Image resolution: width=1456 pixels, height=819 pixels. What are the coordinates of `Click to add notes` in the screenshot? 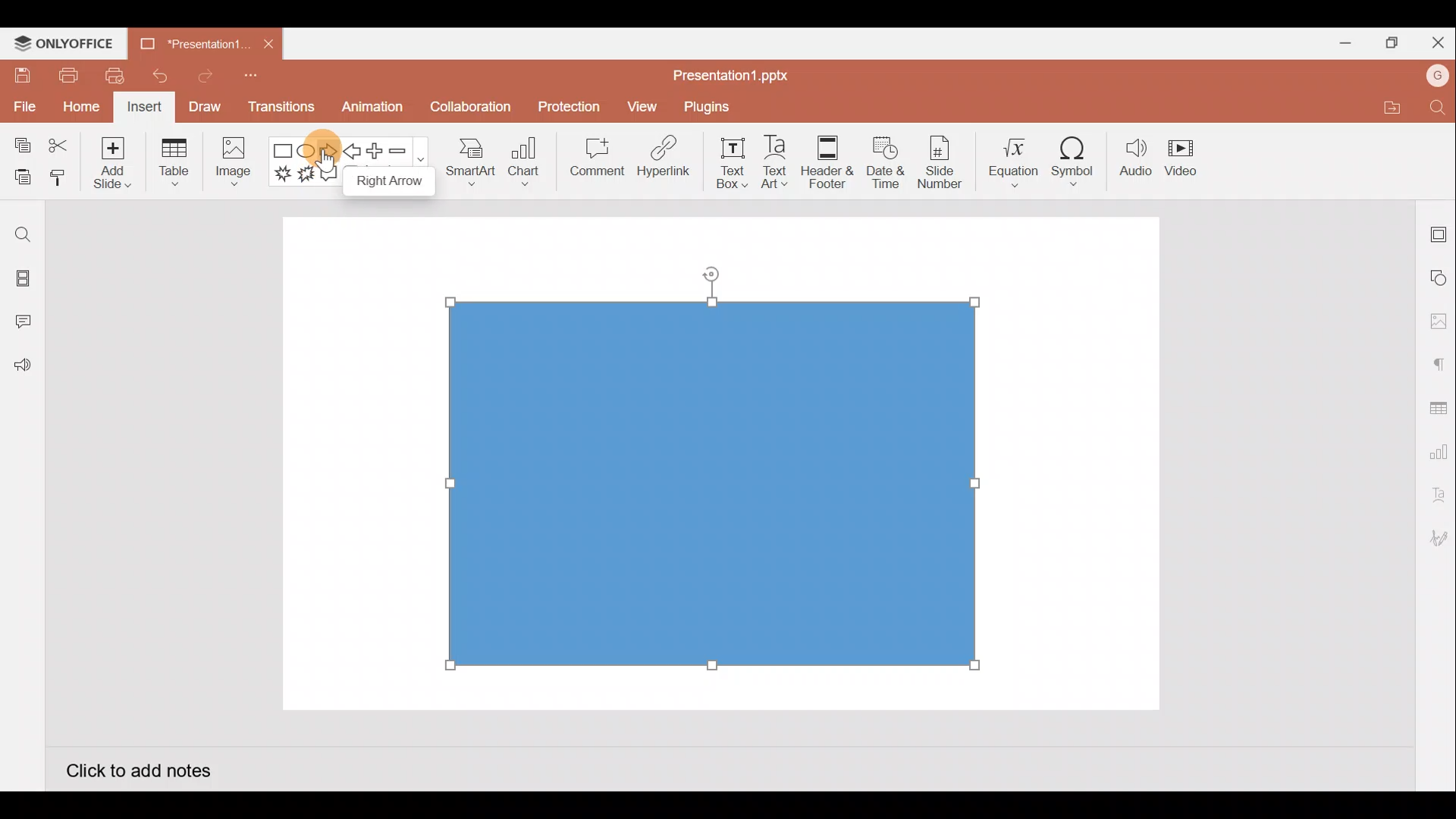 It's located at (138, 769).